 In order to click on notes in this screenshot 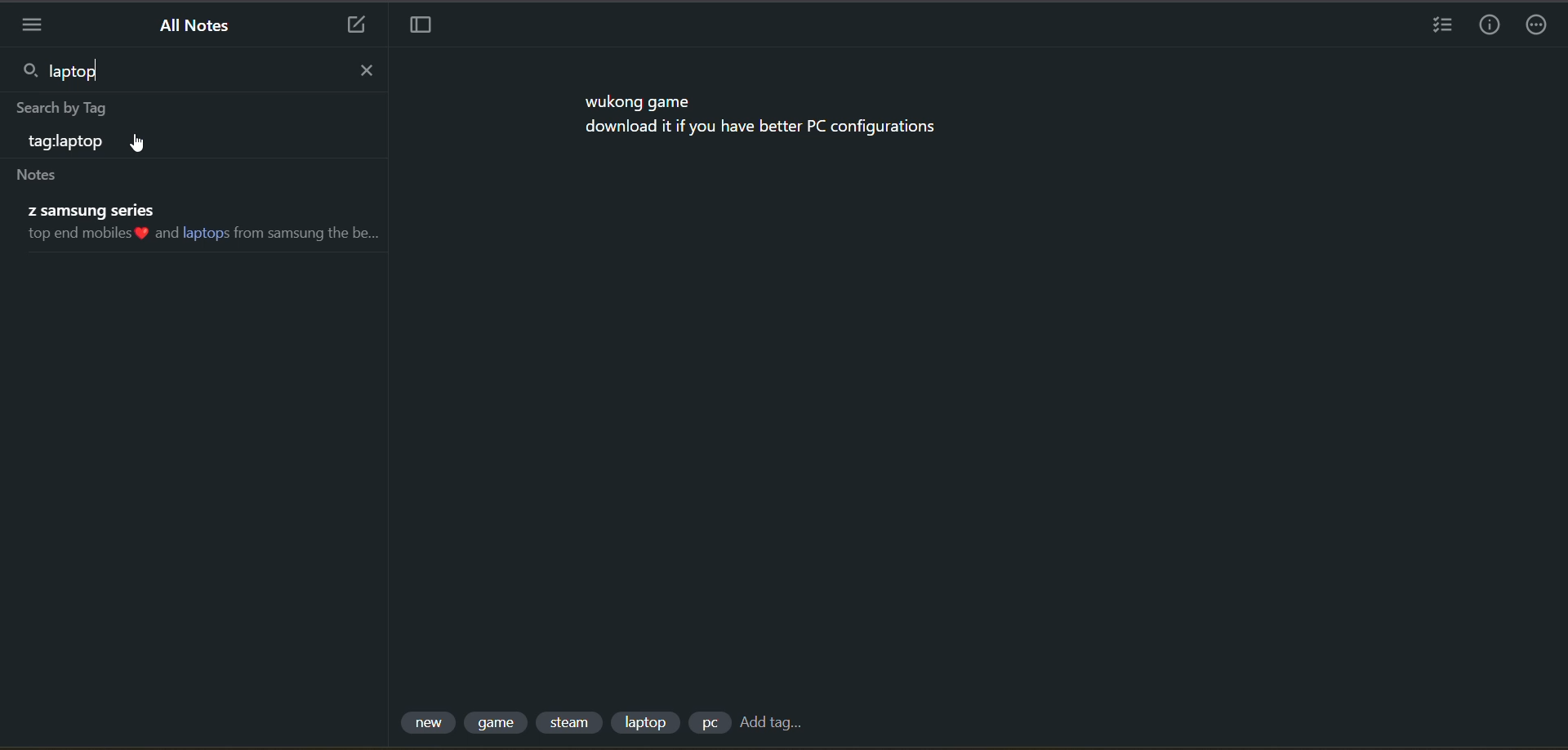, I will do `click(42, 175)`.